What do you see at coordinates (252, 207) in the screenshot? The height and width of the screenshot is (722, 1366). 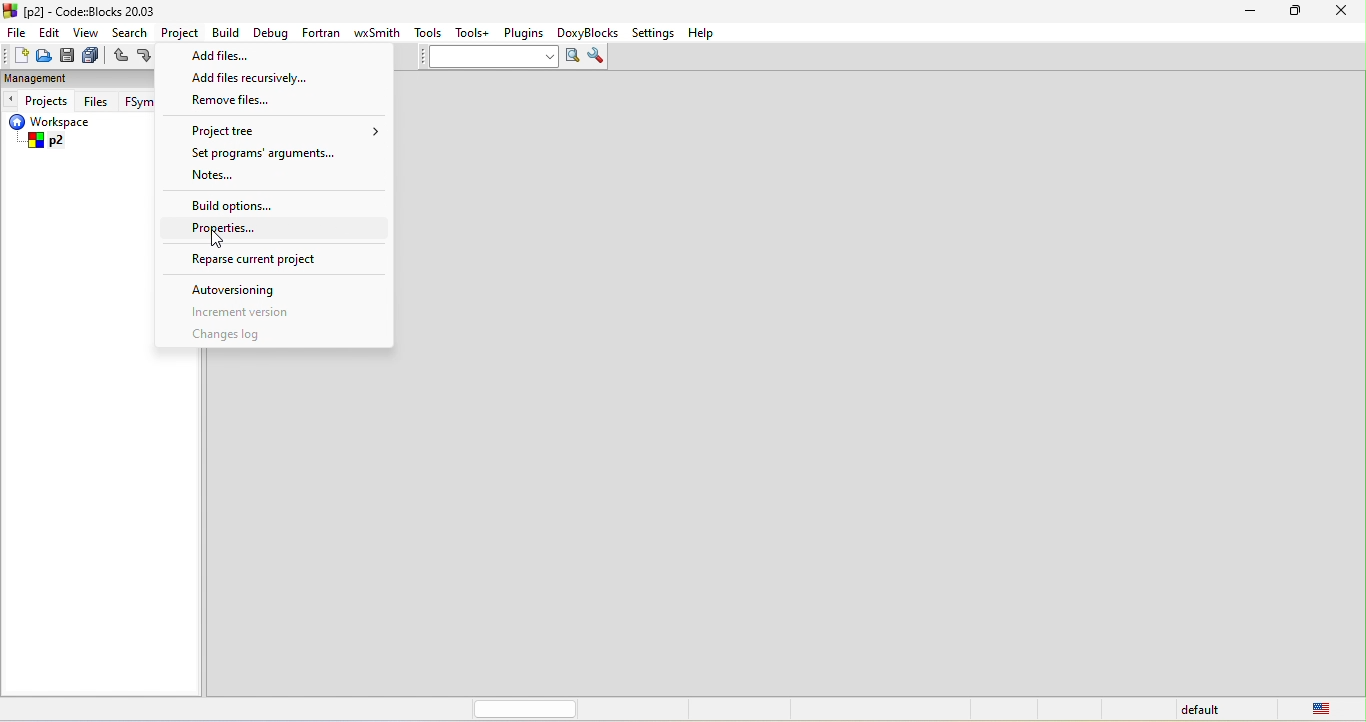 I see `build options` at bounding box center [252, 207].